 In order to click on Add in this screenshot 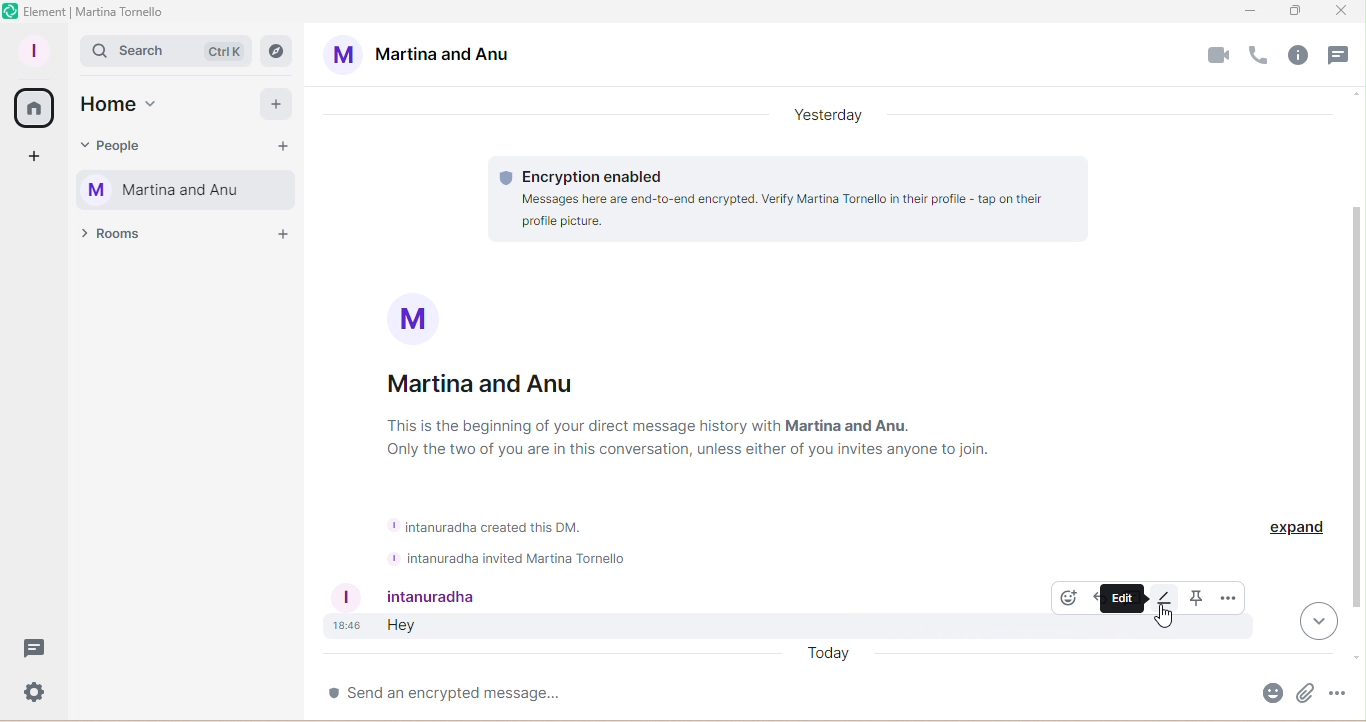, I will do `click(276, 104)`.